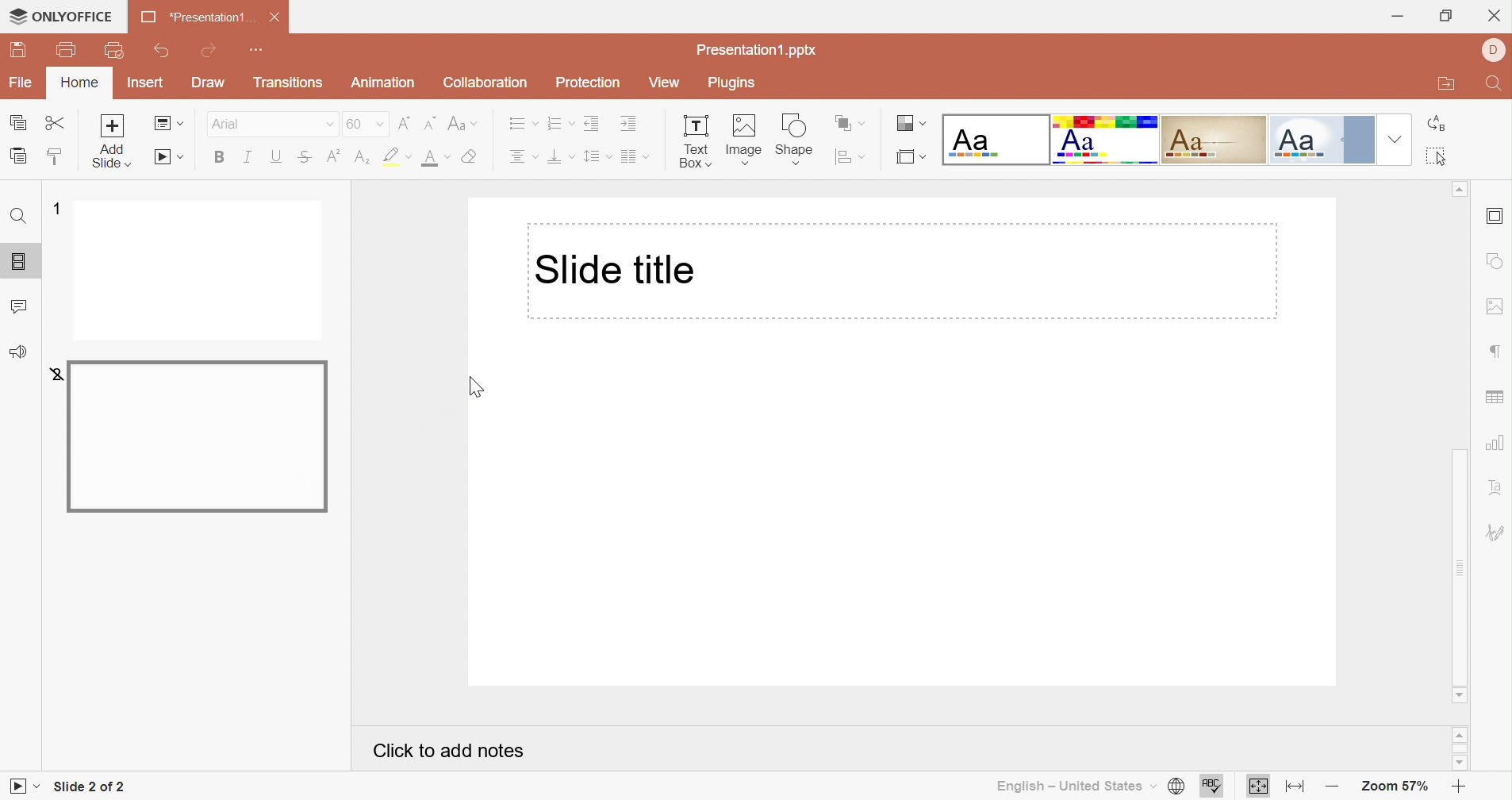 Image resolution: width=1512 pixels, height=800 pixels. Describe the element at coordinates (1397, 15) in the screenshot. I see `Minimize` at that location.